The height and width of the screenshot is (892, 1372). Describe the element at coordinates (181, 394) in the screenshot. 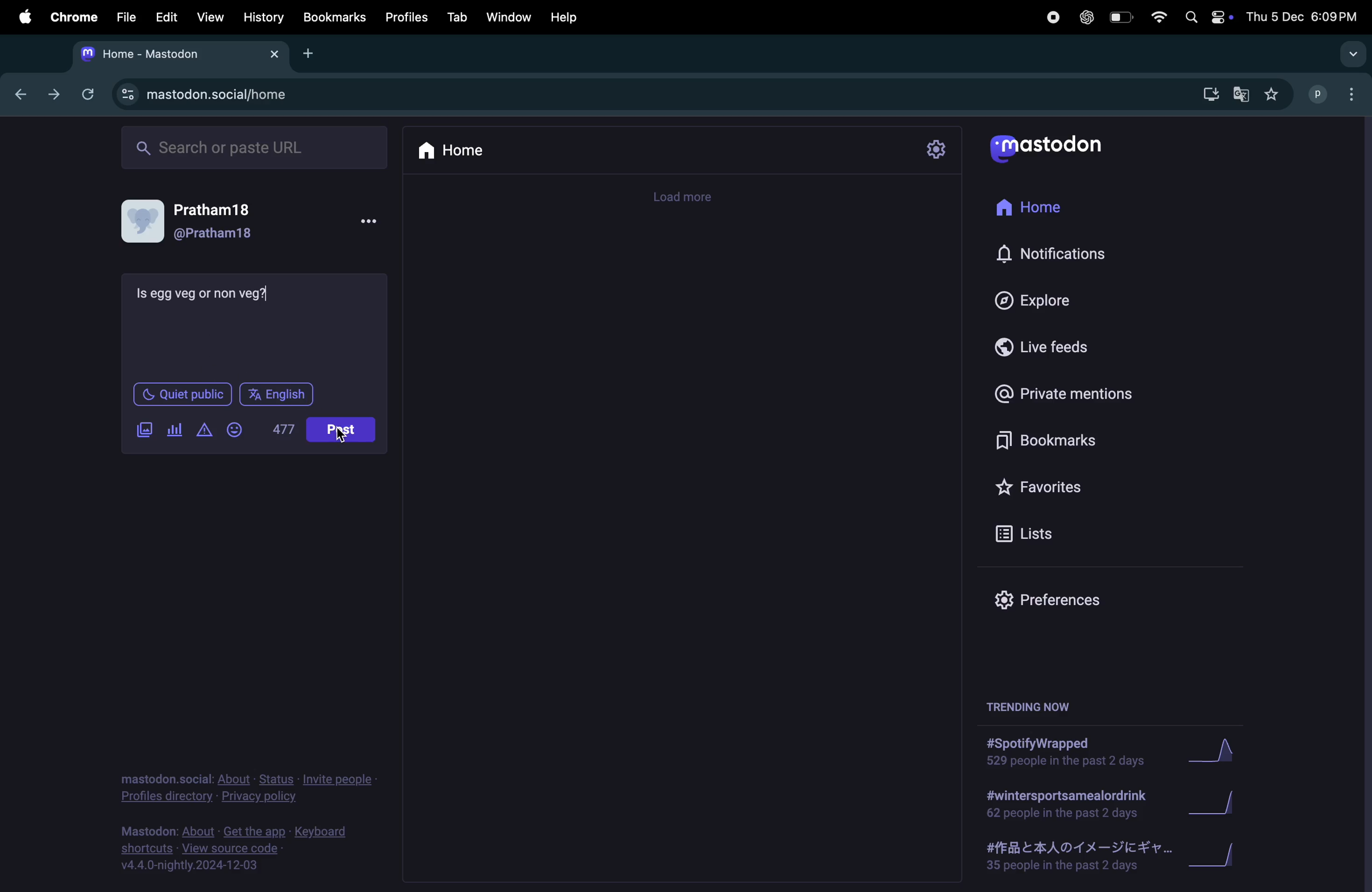

I see `Quiet public` at that location.